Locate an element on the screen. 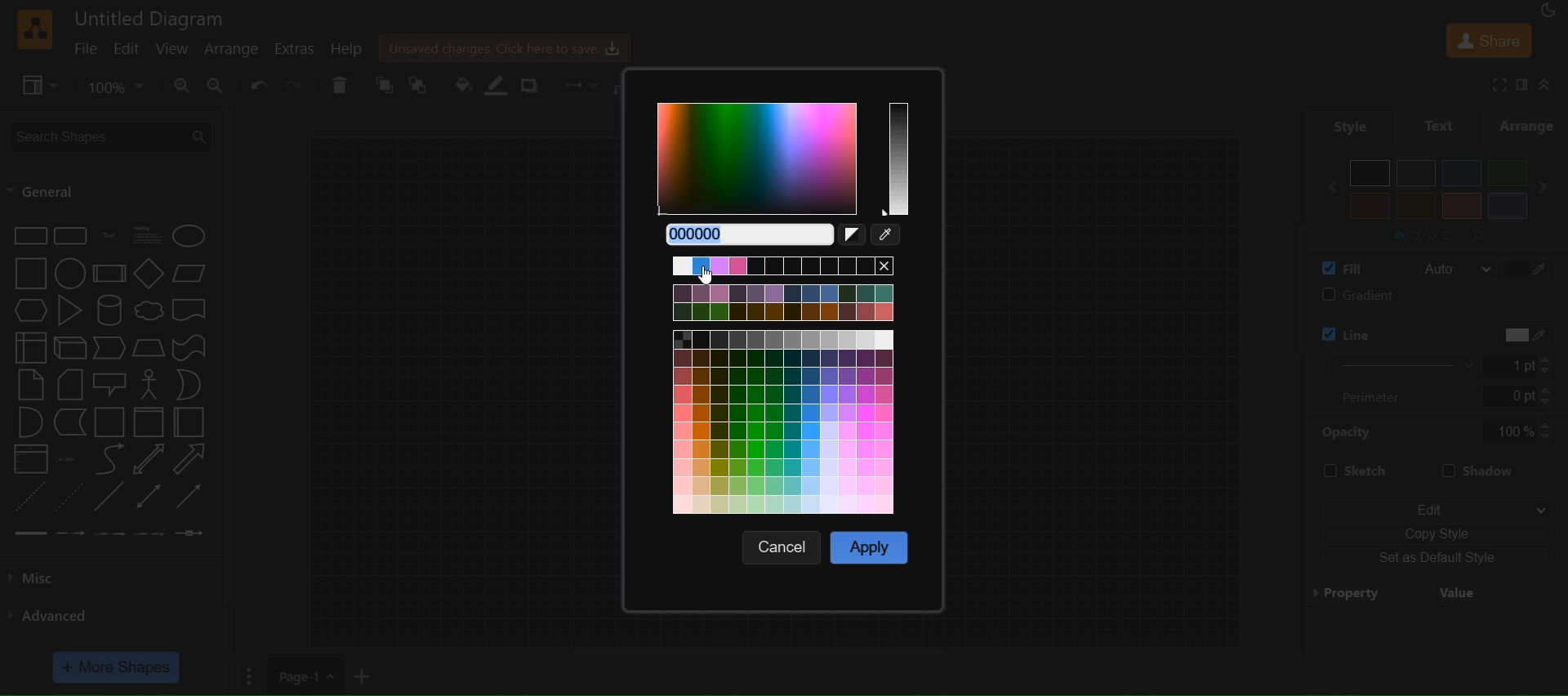 The image size is (1568, 696). yellow color is located at coordinates (1370, 206).